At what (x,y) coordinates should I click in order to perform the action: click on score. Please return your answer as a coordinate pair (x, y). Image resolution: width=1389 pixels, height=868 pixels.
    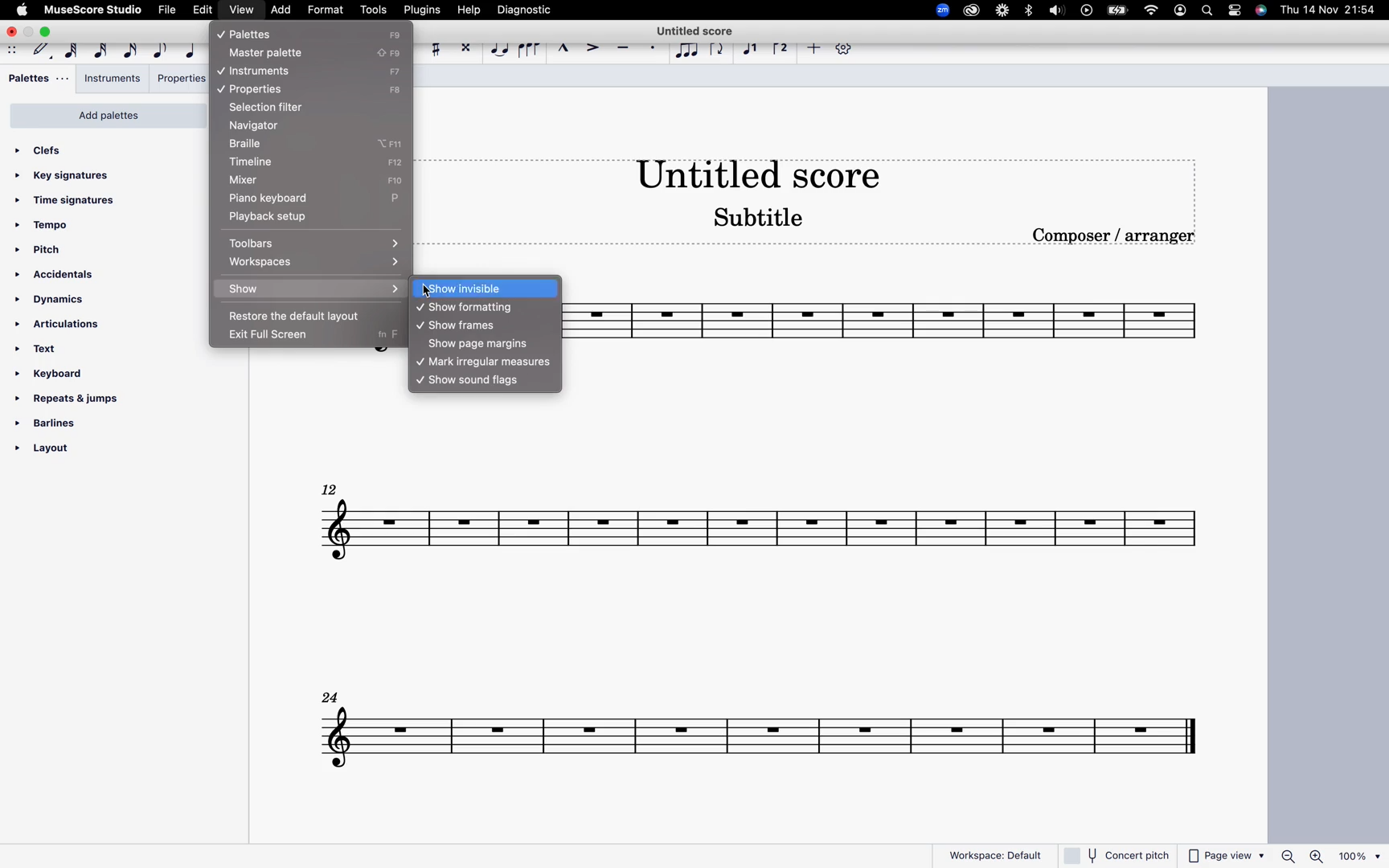
    Looking at the image, I should click on (758, 522).